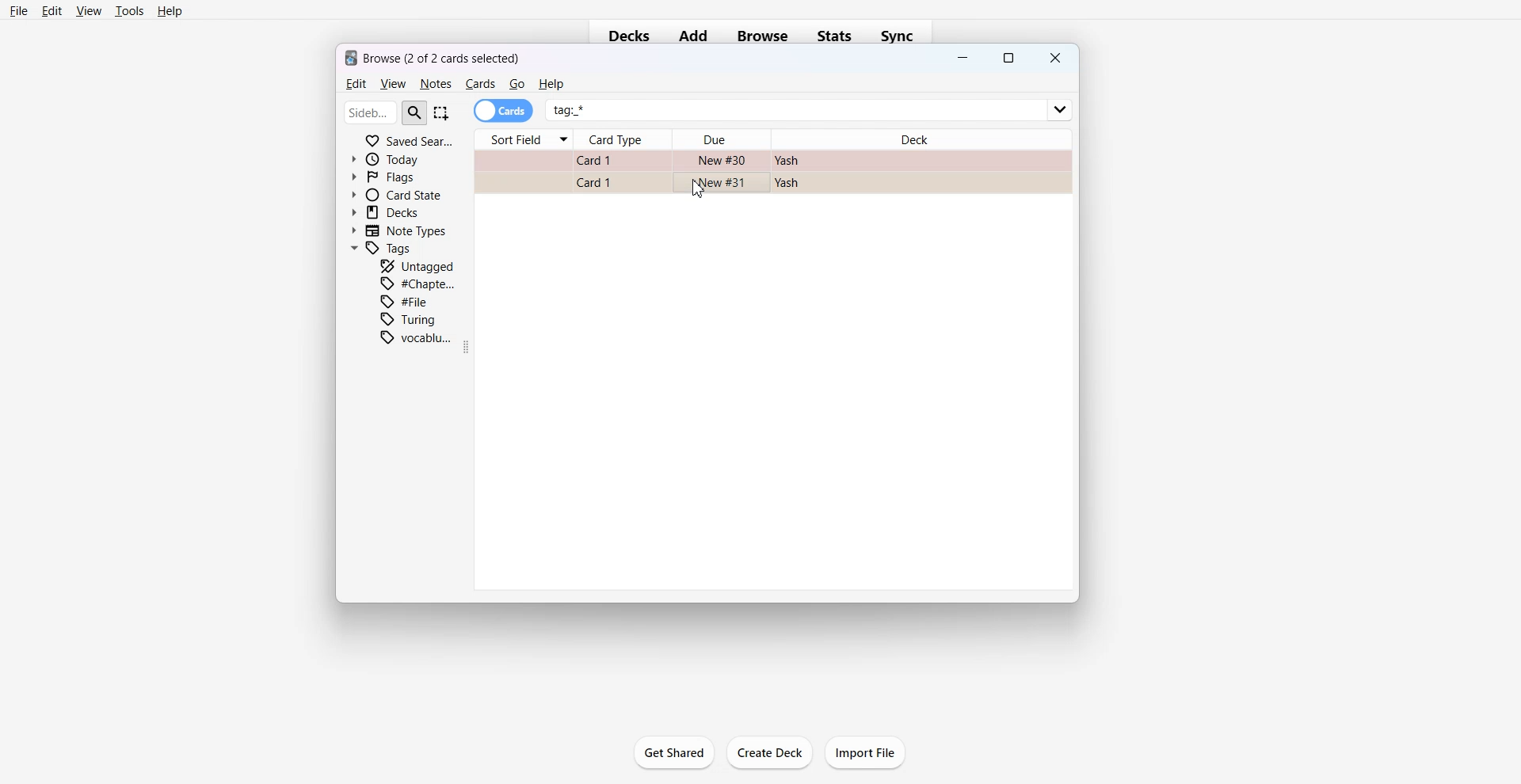 This screenshot has height=784, width=1521. I want to click on Note Types, so click(400, 230).